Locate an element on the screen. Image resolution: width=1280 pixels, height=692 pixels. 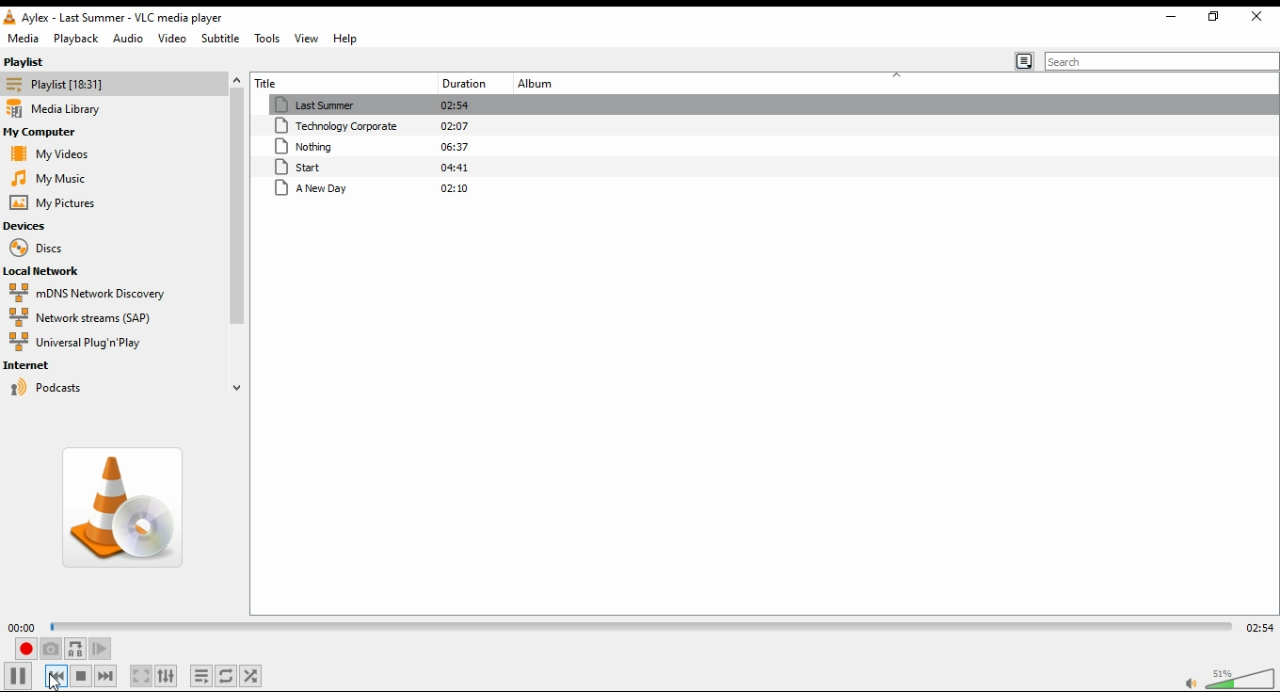
media library is located at coordinates (62, 109).